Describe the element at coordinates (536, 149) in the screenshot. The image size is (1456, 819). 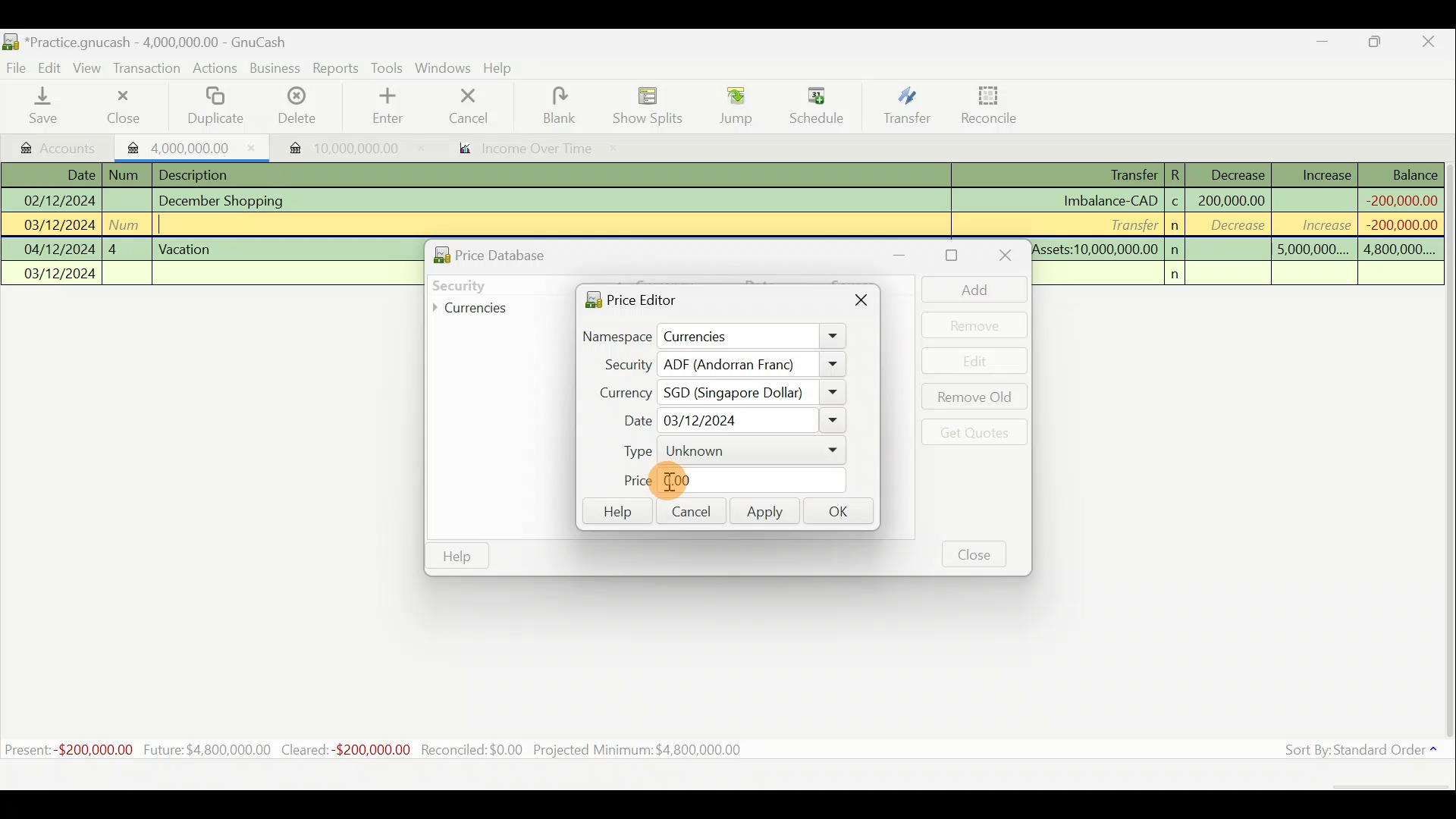
I see `income over time` at that location.